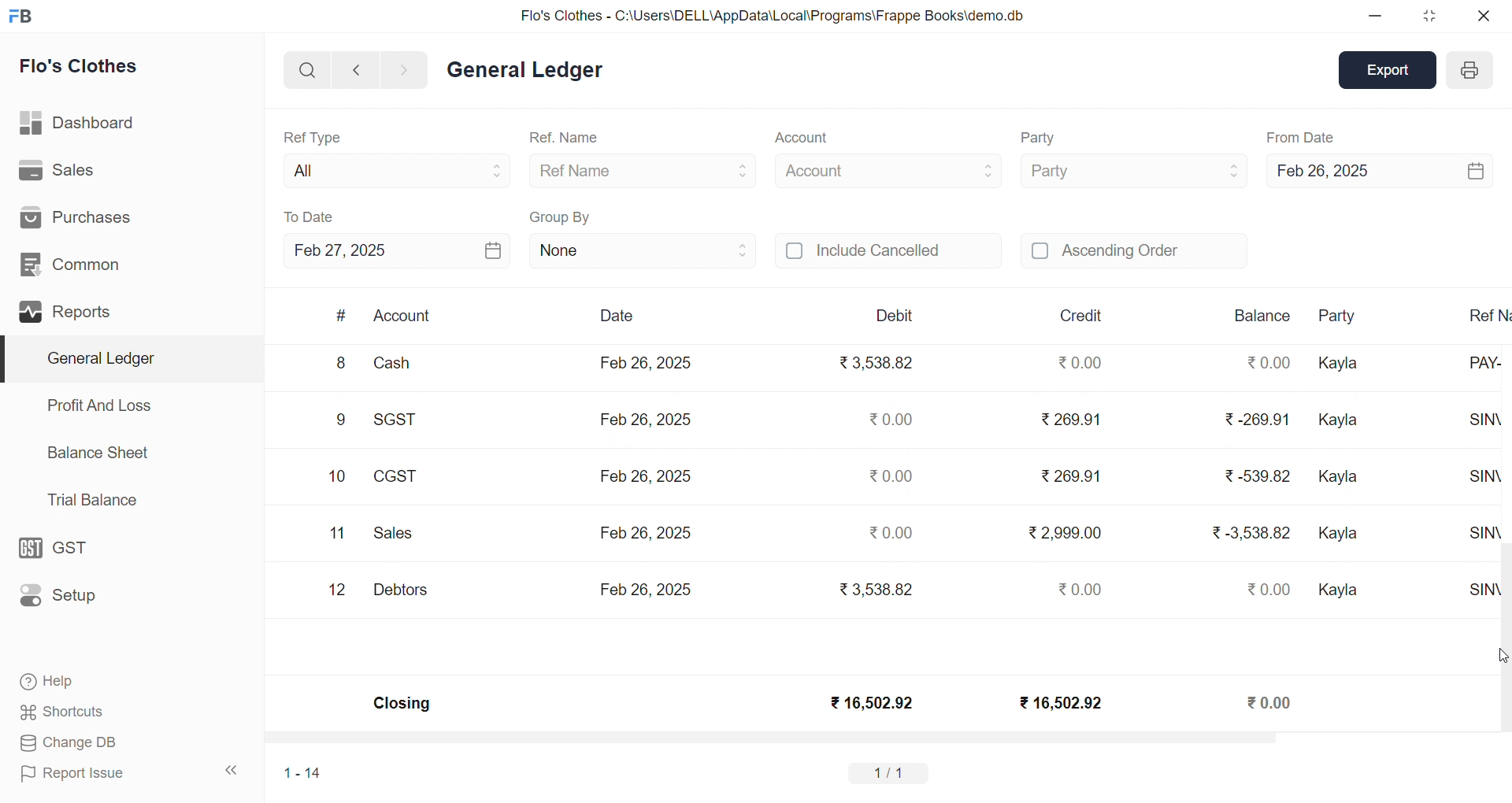 The height and width of the screenshot is (803, 1512). I want to click on All, so click(392, 168).